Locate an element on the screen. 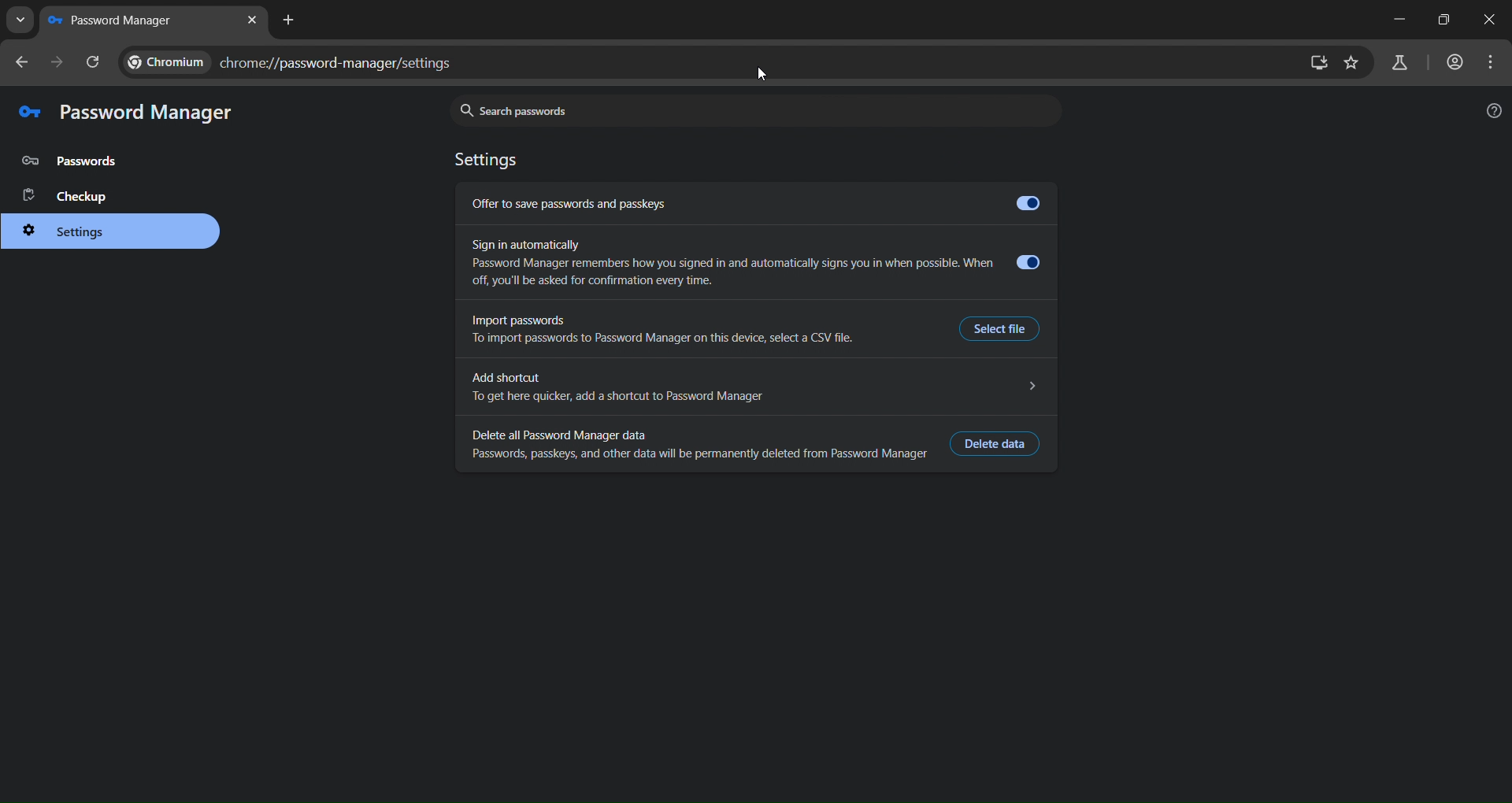  Select file is located at coordinates (1001, 328).